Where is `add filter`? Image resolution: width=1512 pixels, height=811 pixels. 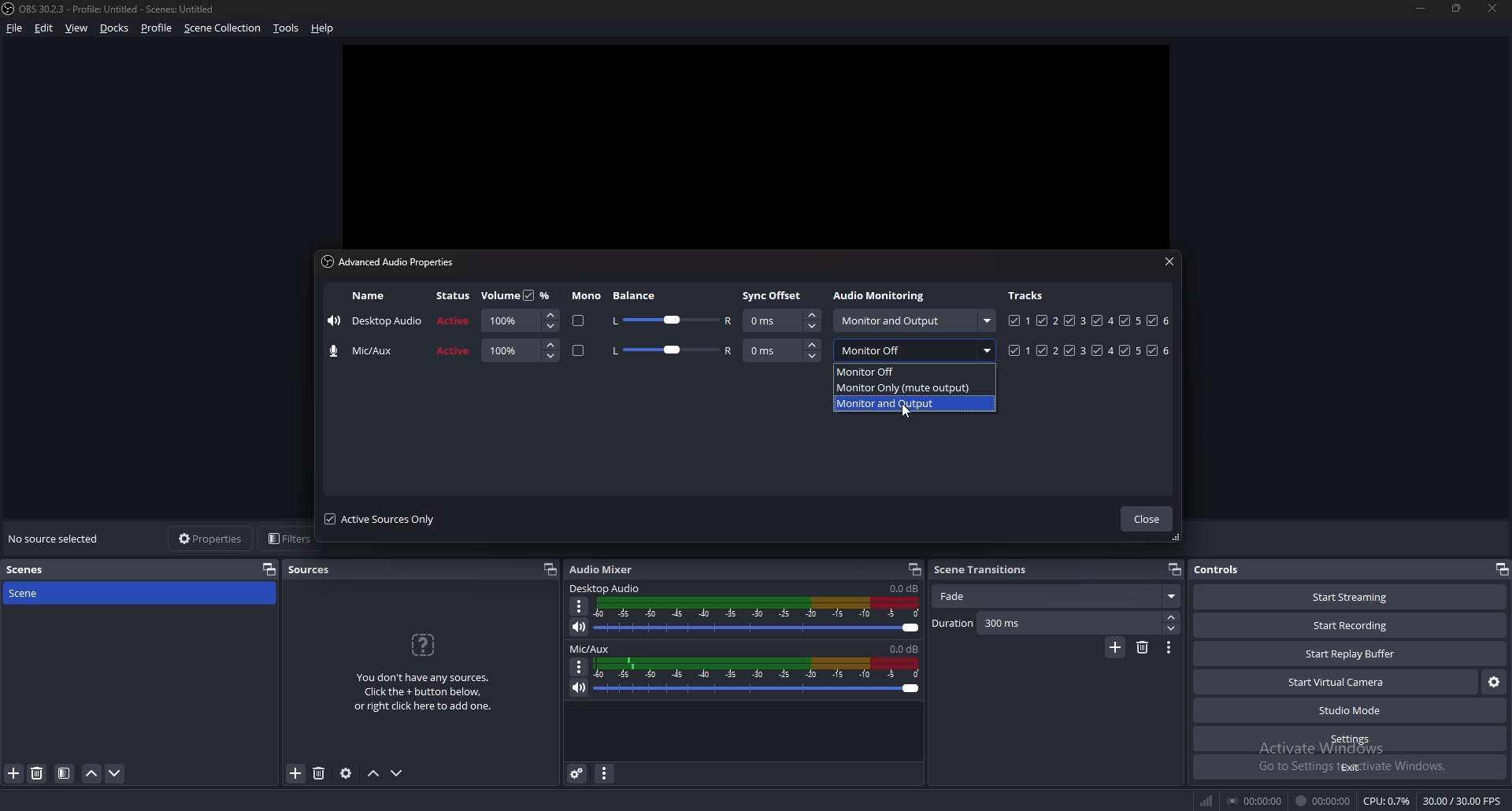 add filter is located at coordinates (14, 773).